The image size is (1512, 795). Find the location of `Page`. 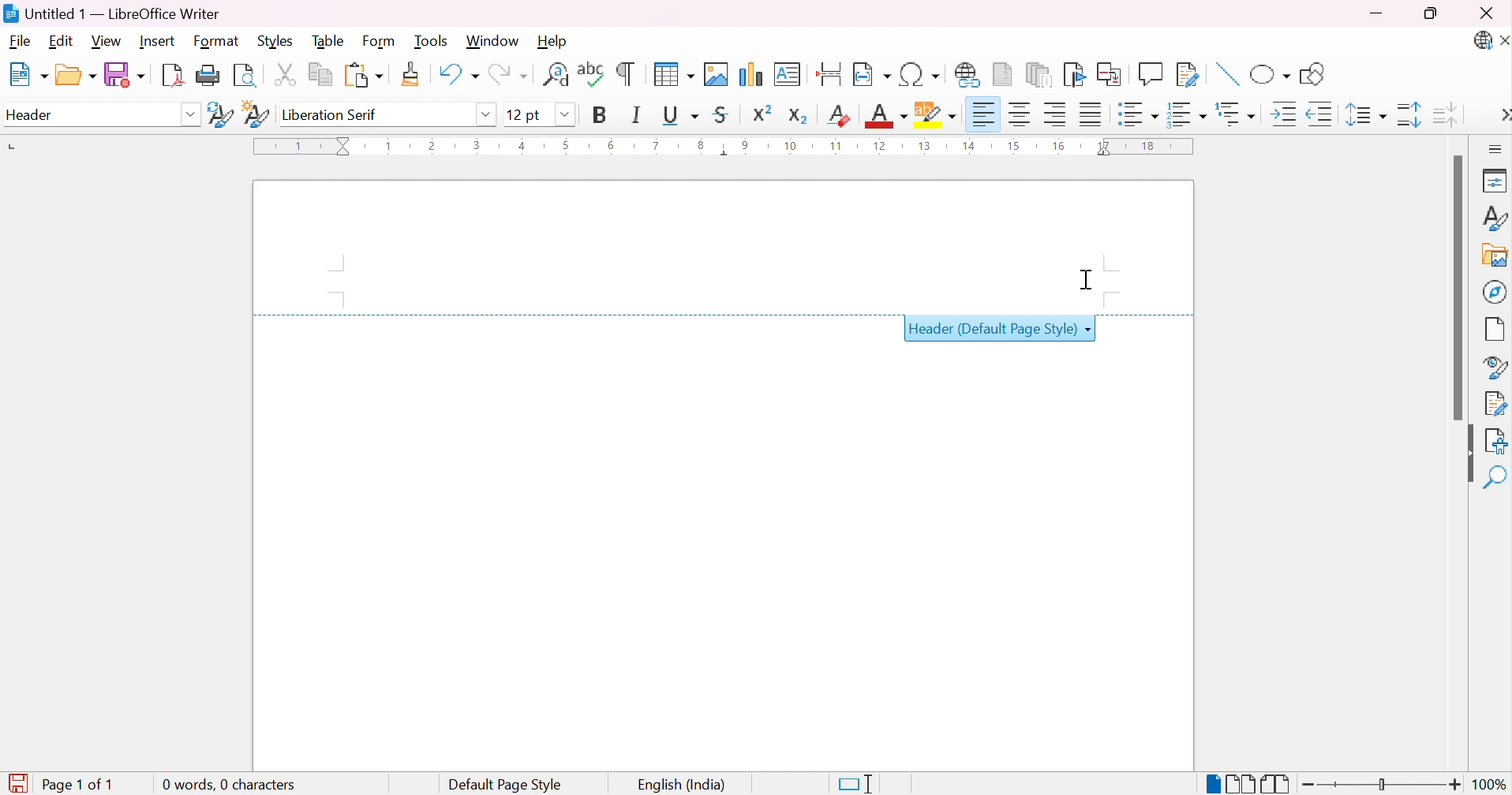

Page is located at coordinates (1497, 331).